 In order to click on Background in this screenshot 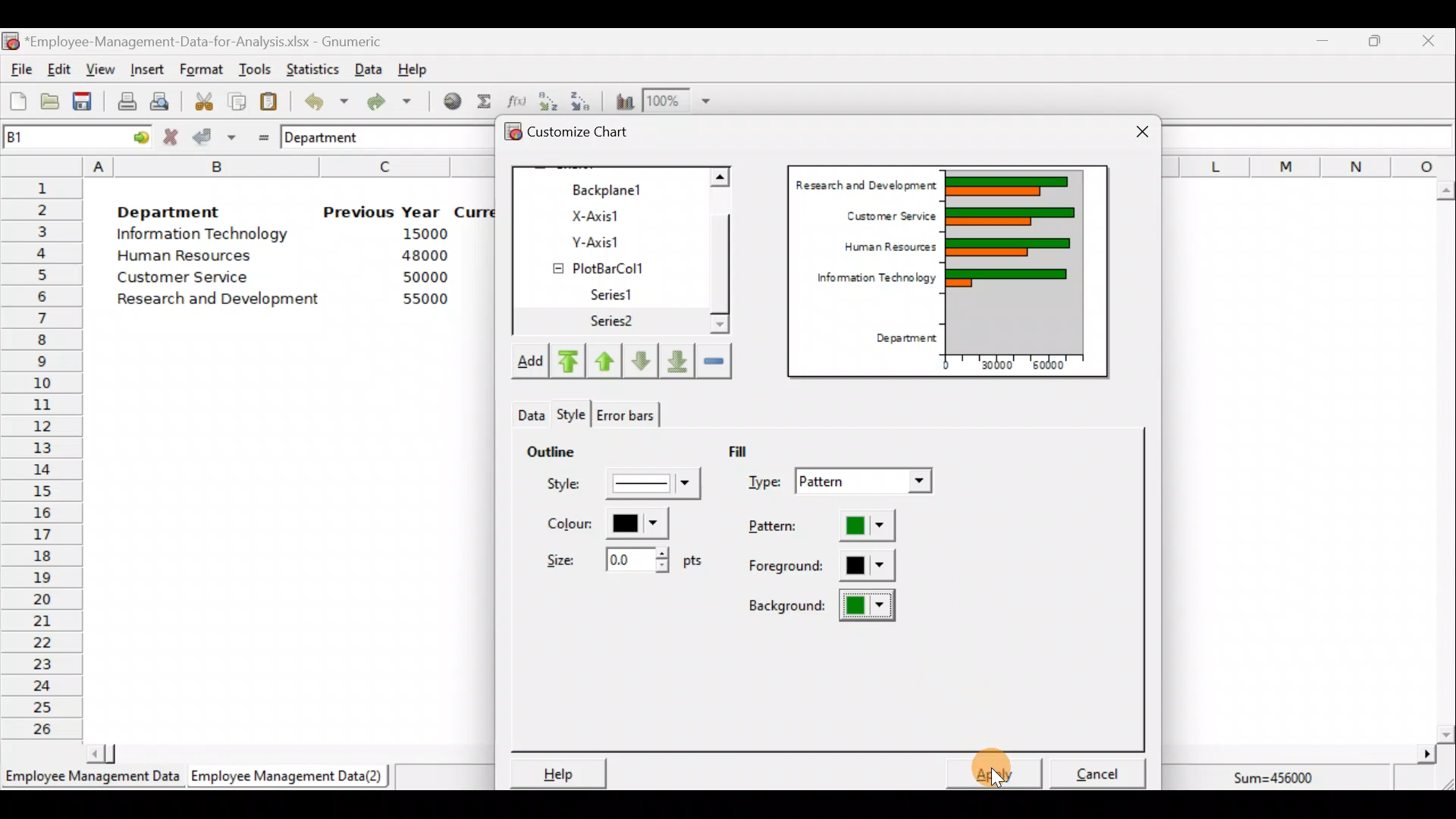, I will do `click(824, 605)`.